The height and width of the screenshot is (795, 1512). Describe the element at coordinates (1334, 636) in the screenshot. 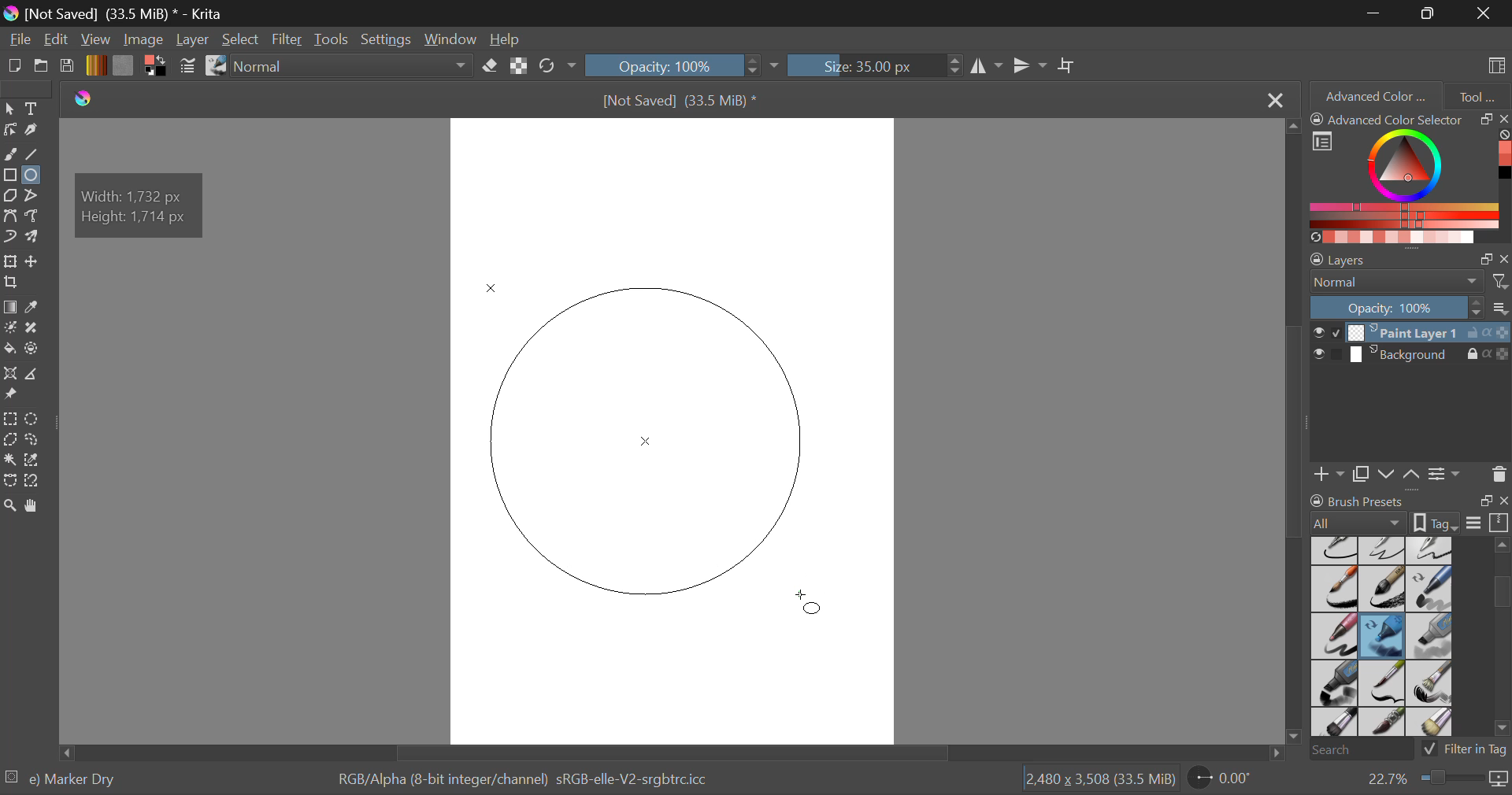

I see `Marker Smooth` at that location.